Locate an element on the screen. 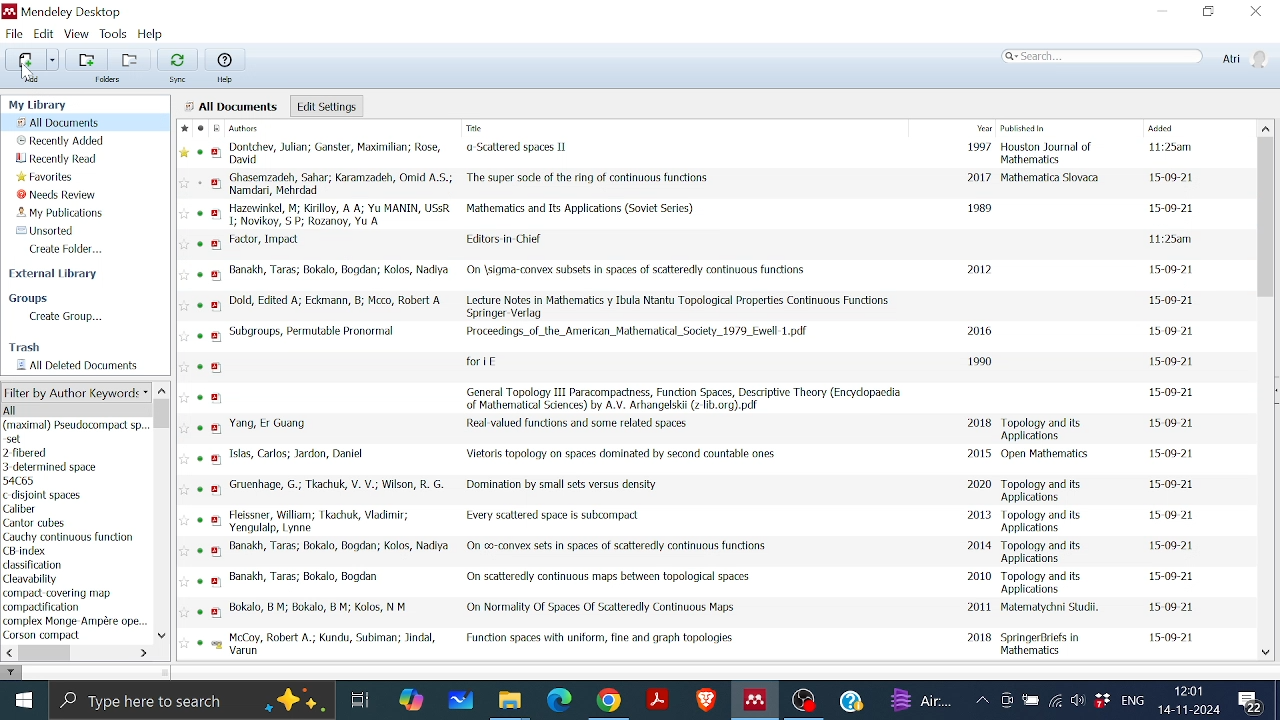 This screenshot has width=1280, height=720. pdf is located at coordinates (216, 337).